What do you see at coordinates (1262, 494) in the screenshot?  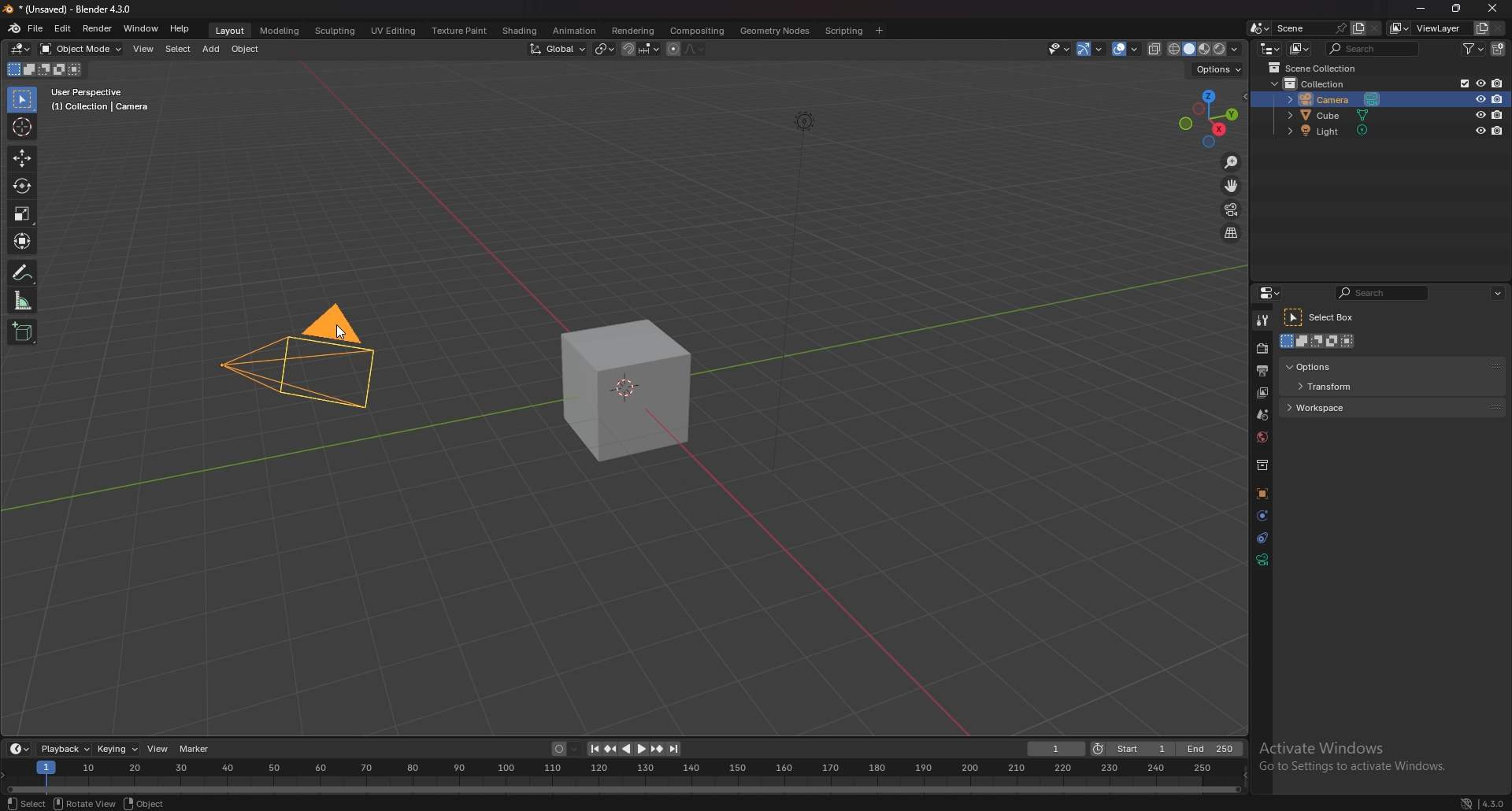 I see `objects` at bounding box center [1262, 494].